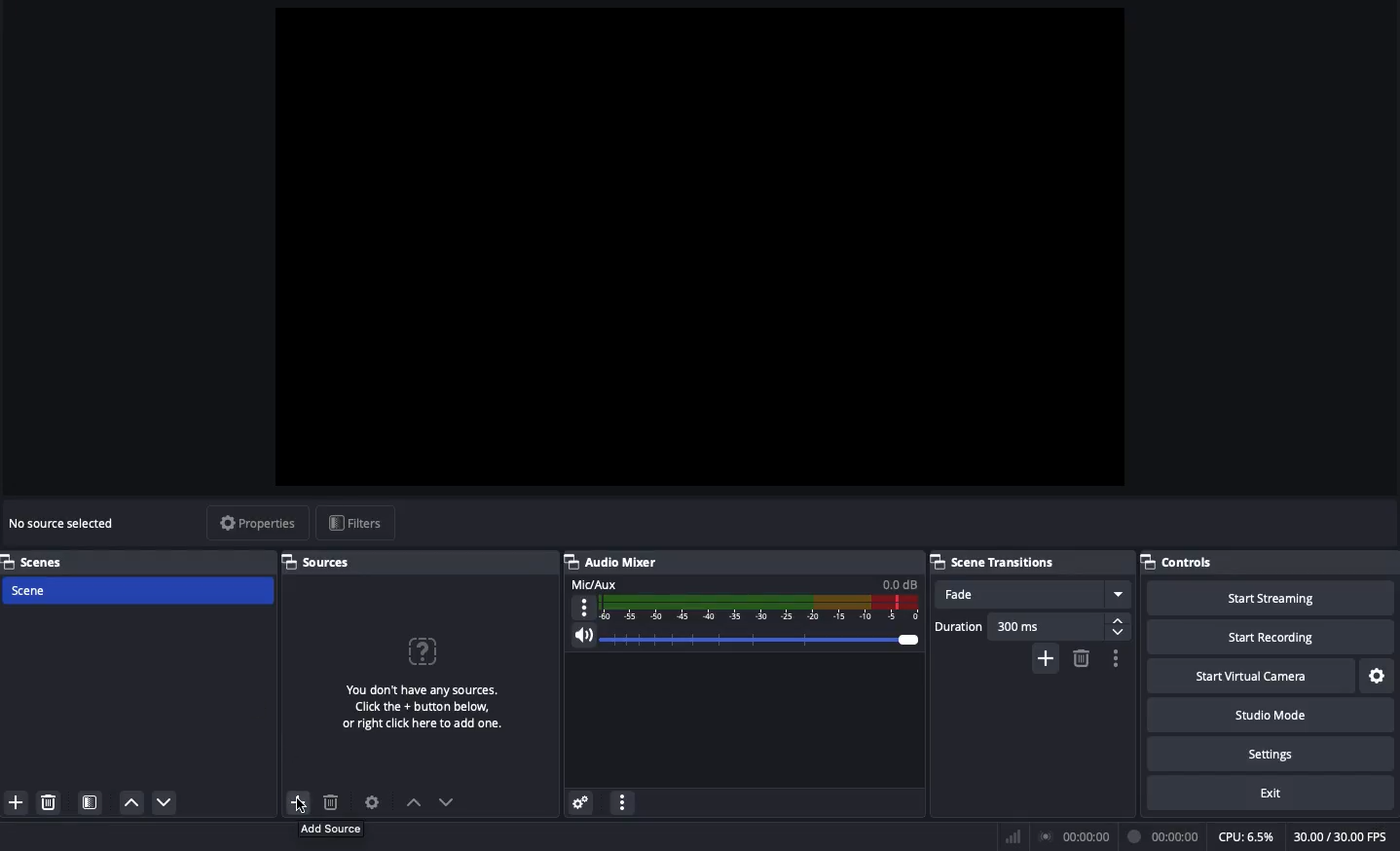 The height and width of the screenshot is (851, 1400). What do you see at coordinates (53, 804) in the screenshot?
I see `delete` at bounding box center [53, 804].